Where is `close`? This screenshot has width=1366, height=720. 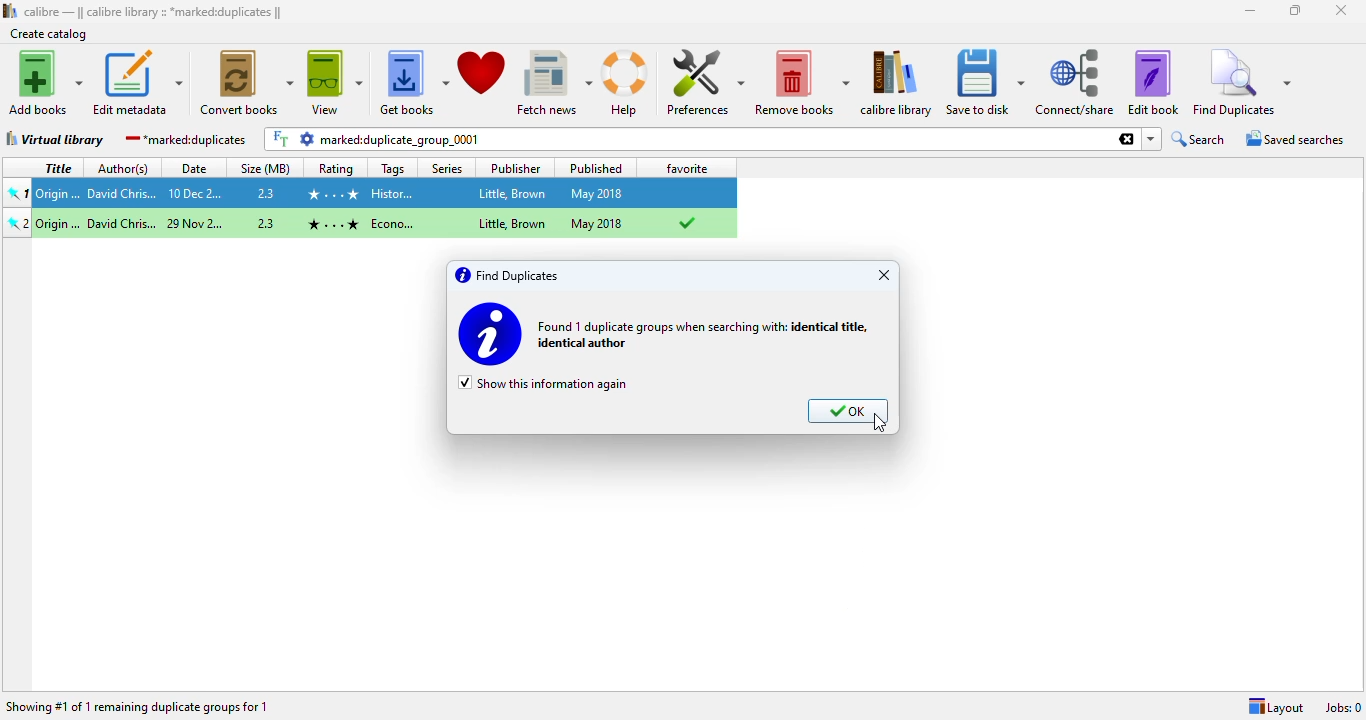
close is located at coordinates (1341, 11).